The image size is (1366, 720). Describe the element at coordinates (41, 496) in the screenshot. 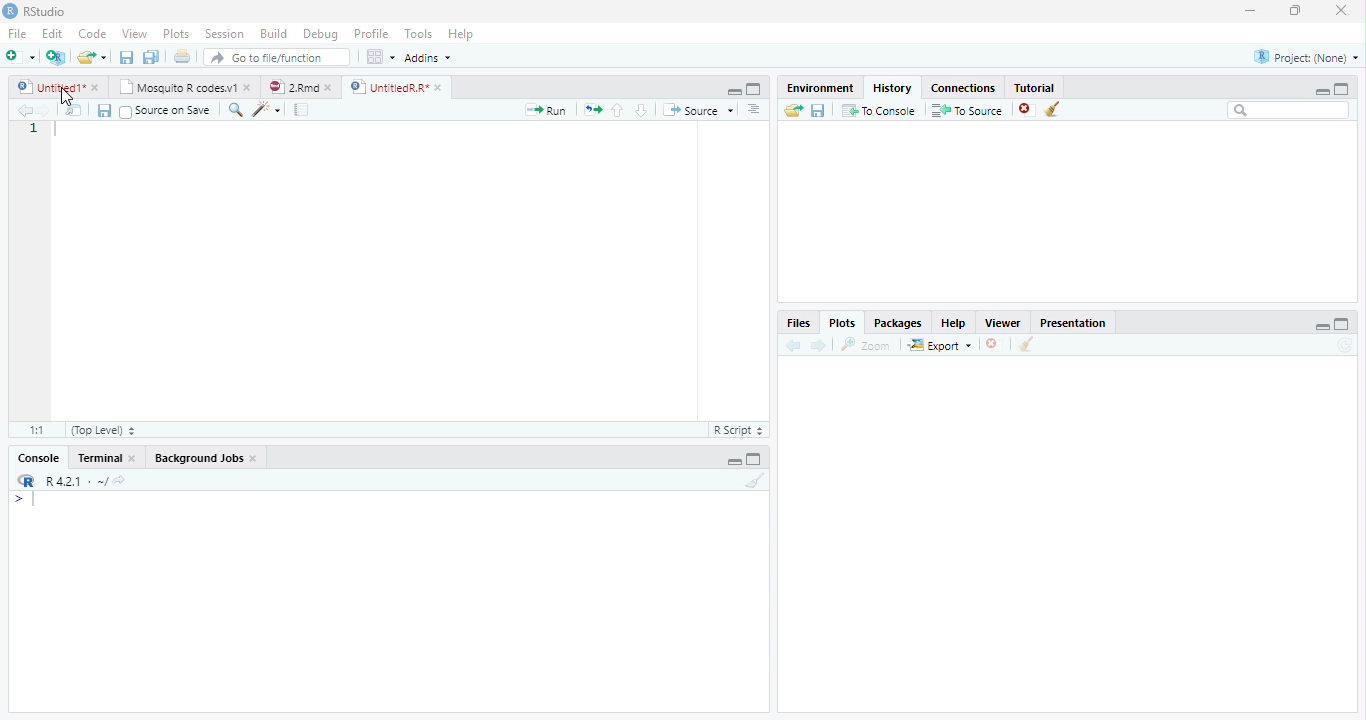

I see `Input Cursor` at that location.